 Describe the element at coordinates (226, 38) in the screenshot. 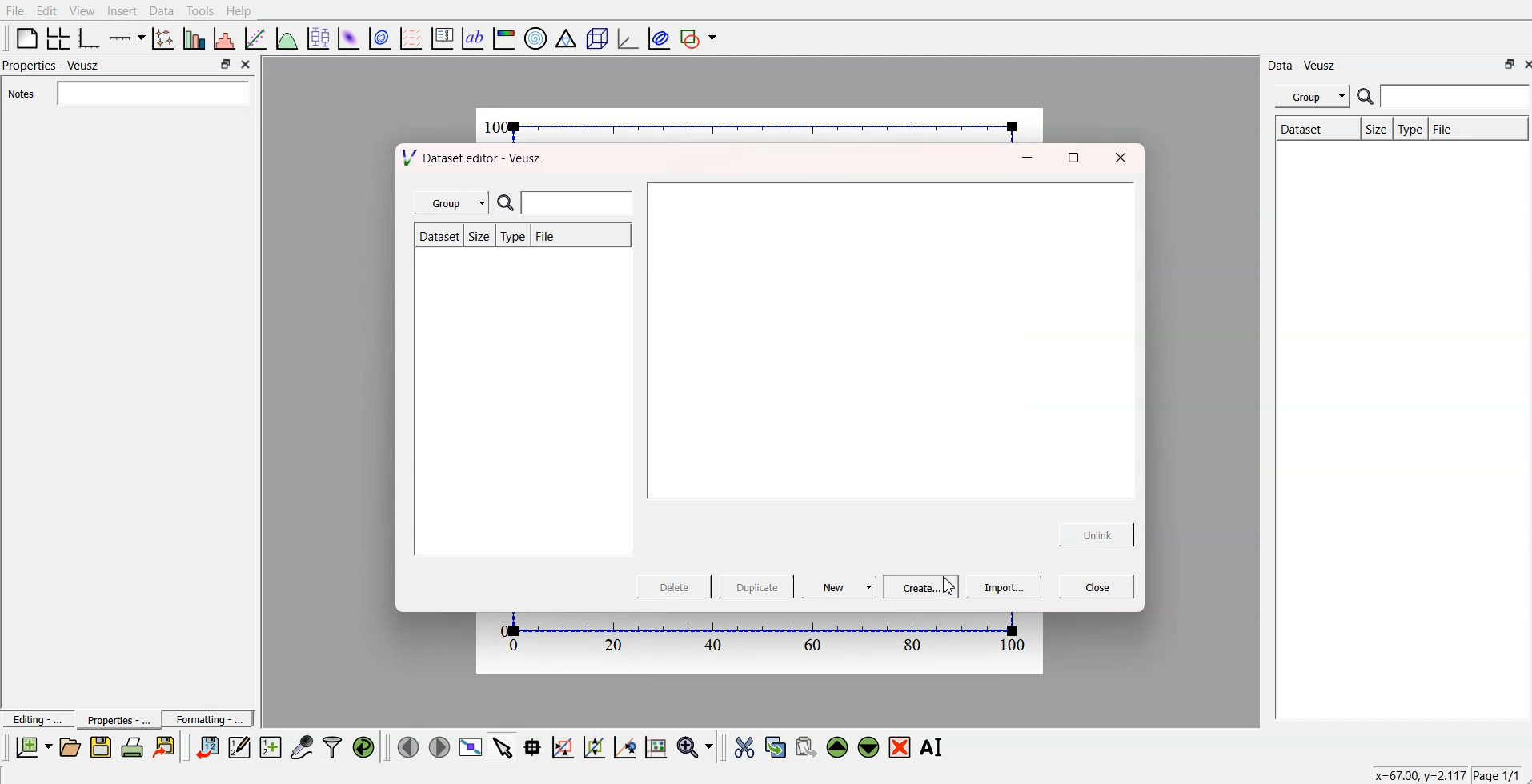

I see `histogram of dataset` at that location.